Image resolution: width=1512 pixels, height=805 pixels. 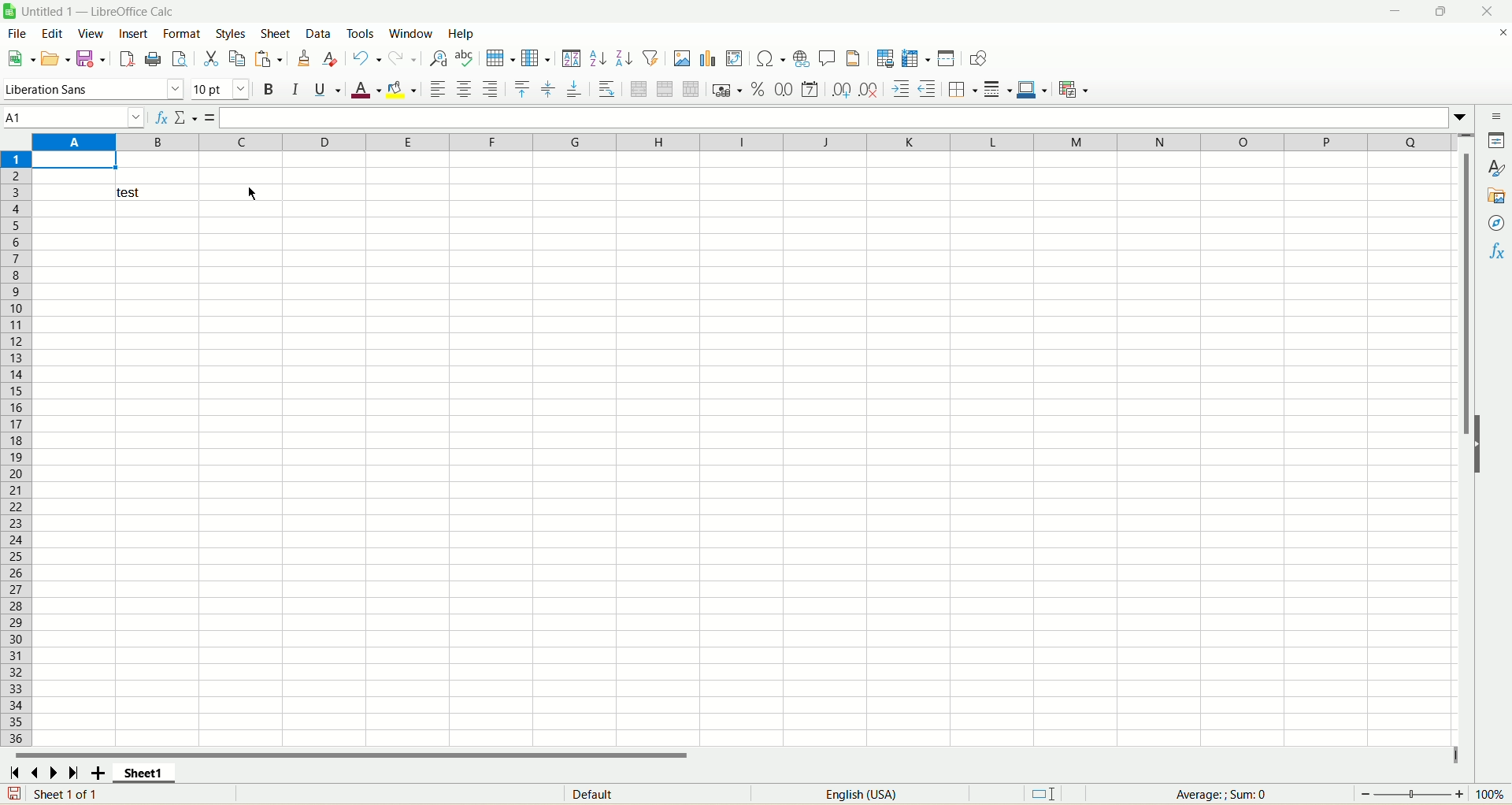 I want to click on auto filter, so click(x=650, y=57).